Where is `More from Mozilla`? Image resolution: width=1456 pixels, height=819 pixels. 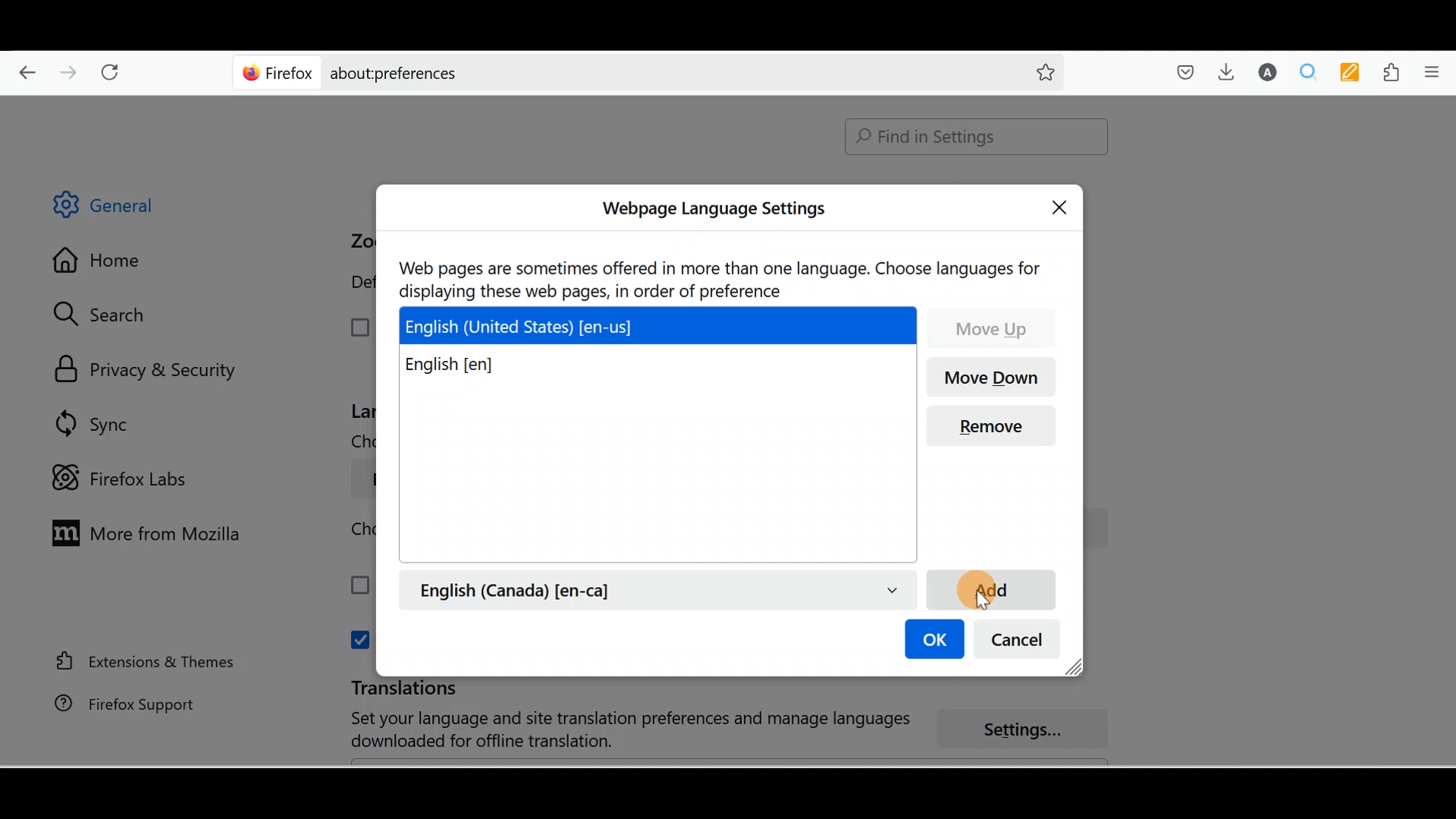
More from Mozilla is located at coordinates (142, 532).